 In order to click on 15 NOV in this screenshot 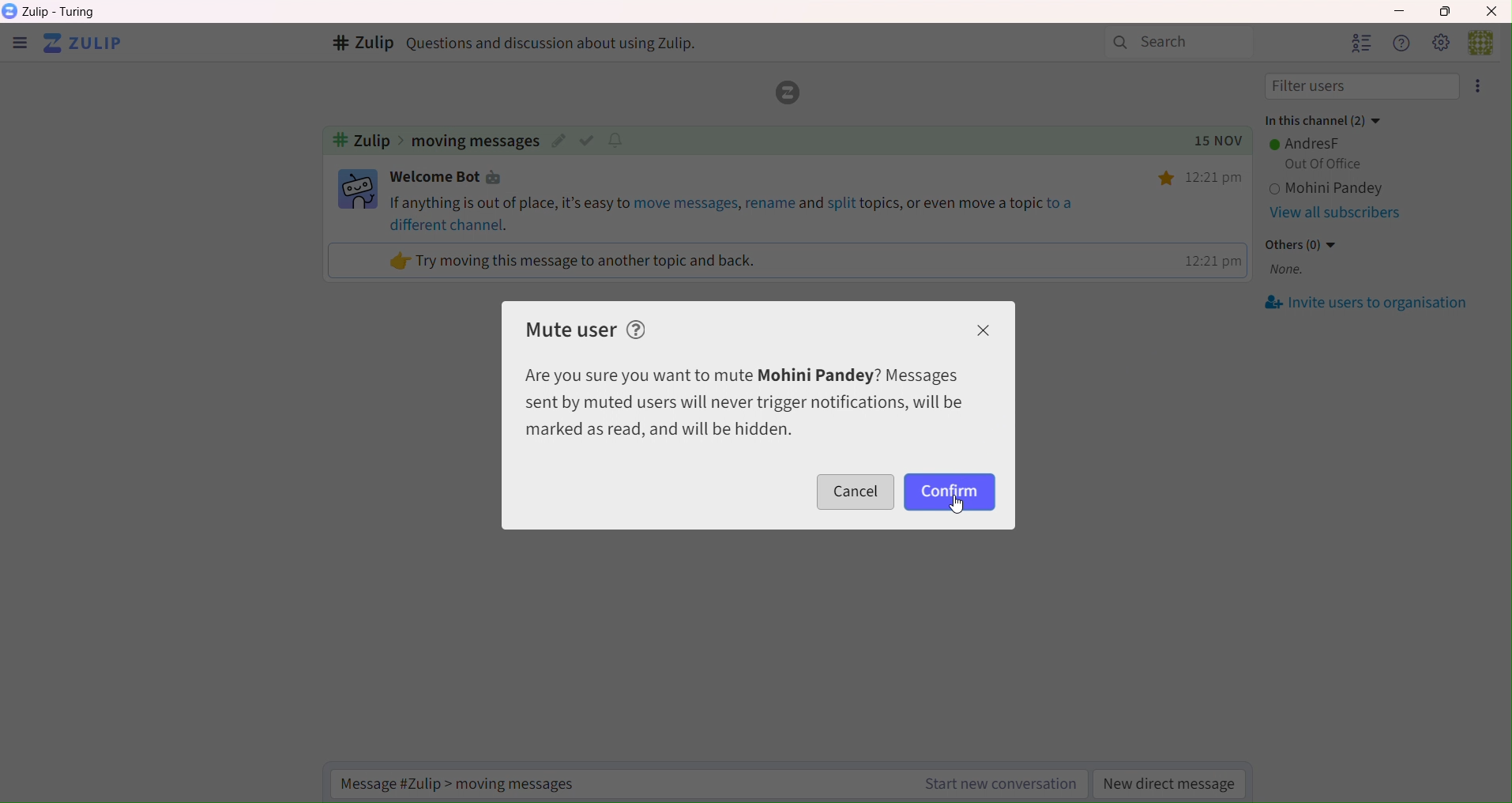, I will do `click(1211, 141)`.